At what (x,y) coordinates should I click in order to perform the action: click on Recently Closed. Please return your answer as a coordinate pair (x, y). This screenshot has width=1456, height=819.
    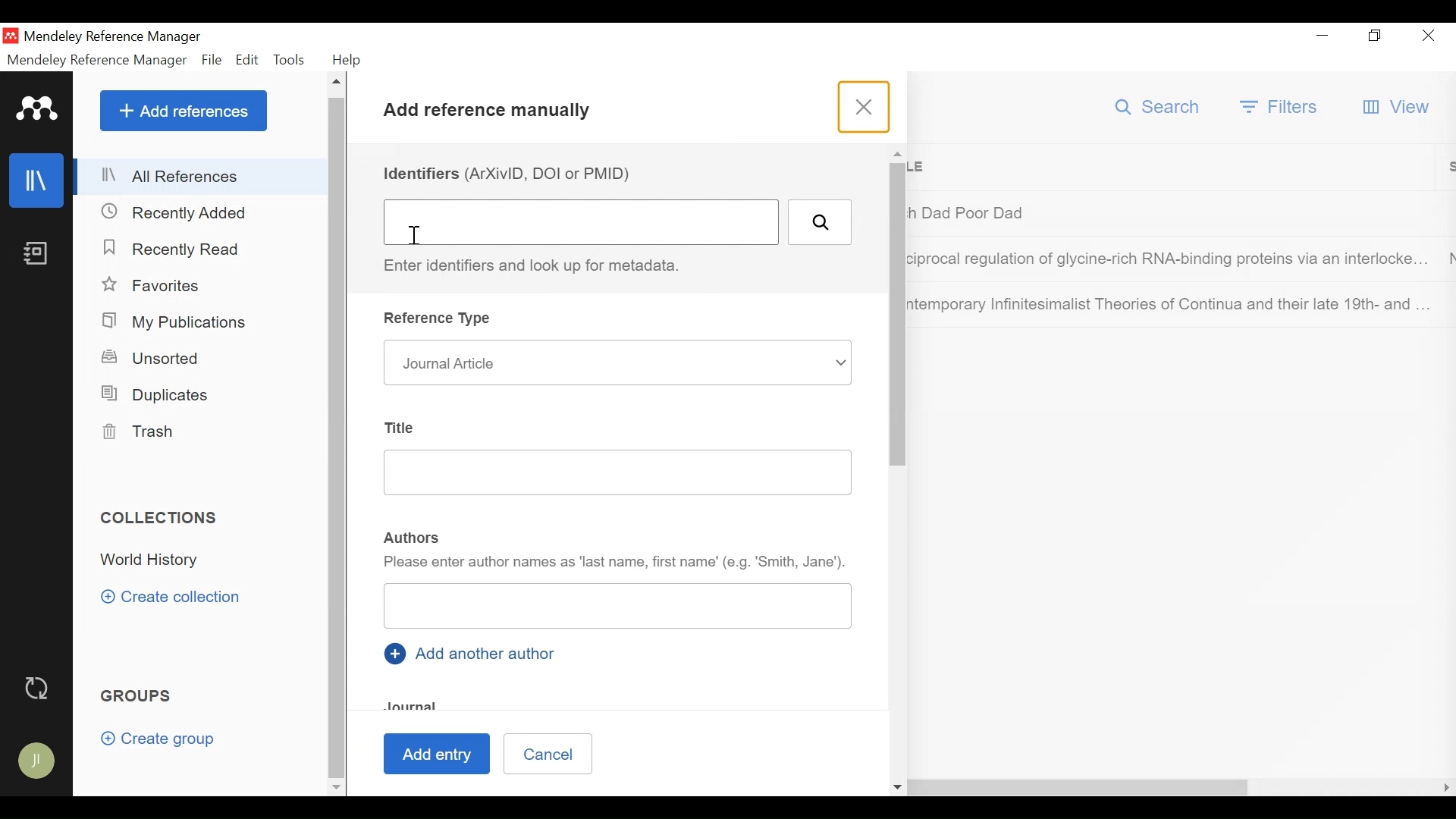
    Looking at the image, I should click on (175, 213).